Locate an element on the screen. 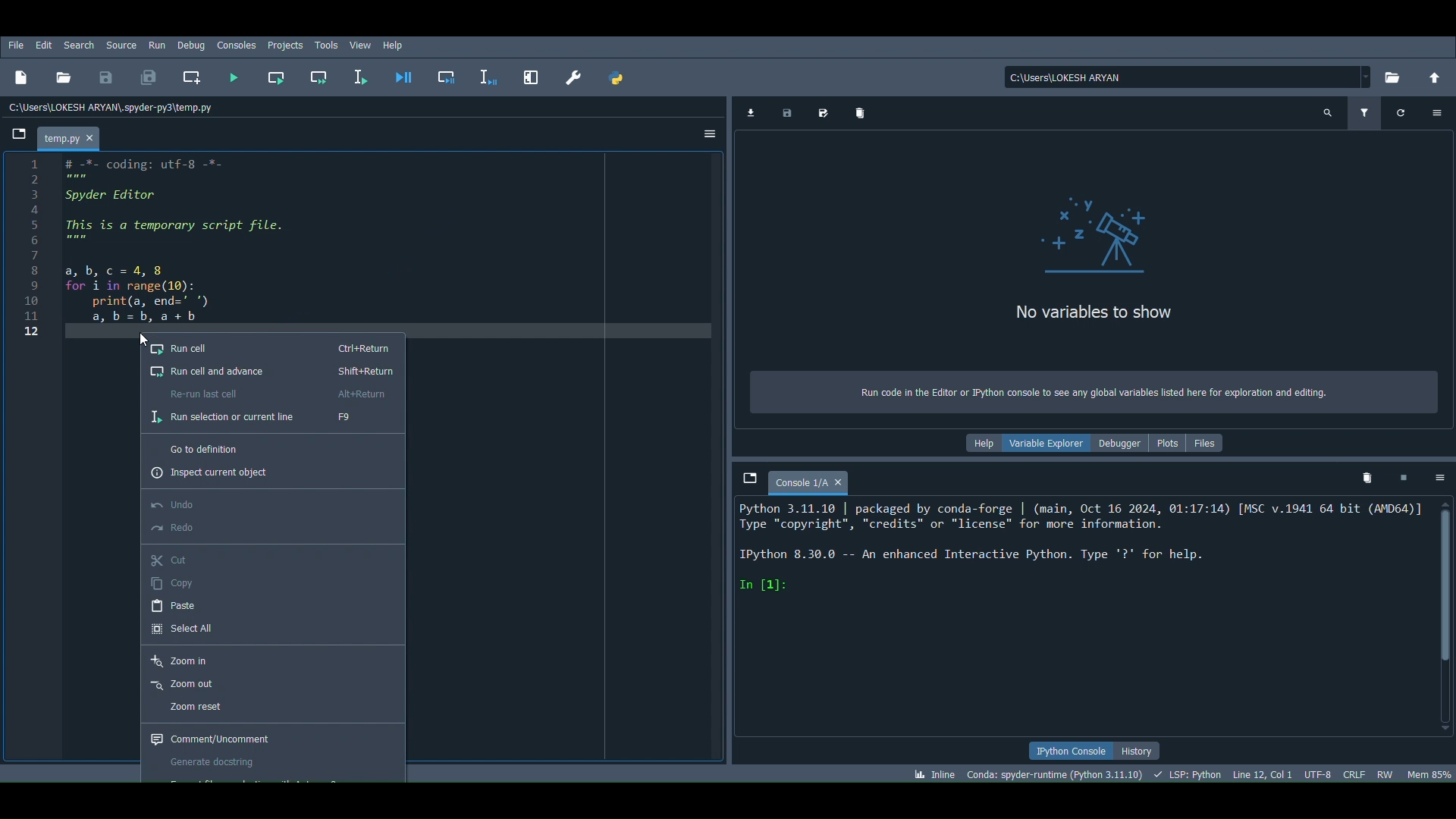 The image size is (1456, 819). code editor is located at coordinates (171, 245).